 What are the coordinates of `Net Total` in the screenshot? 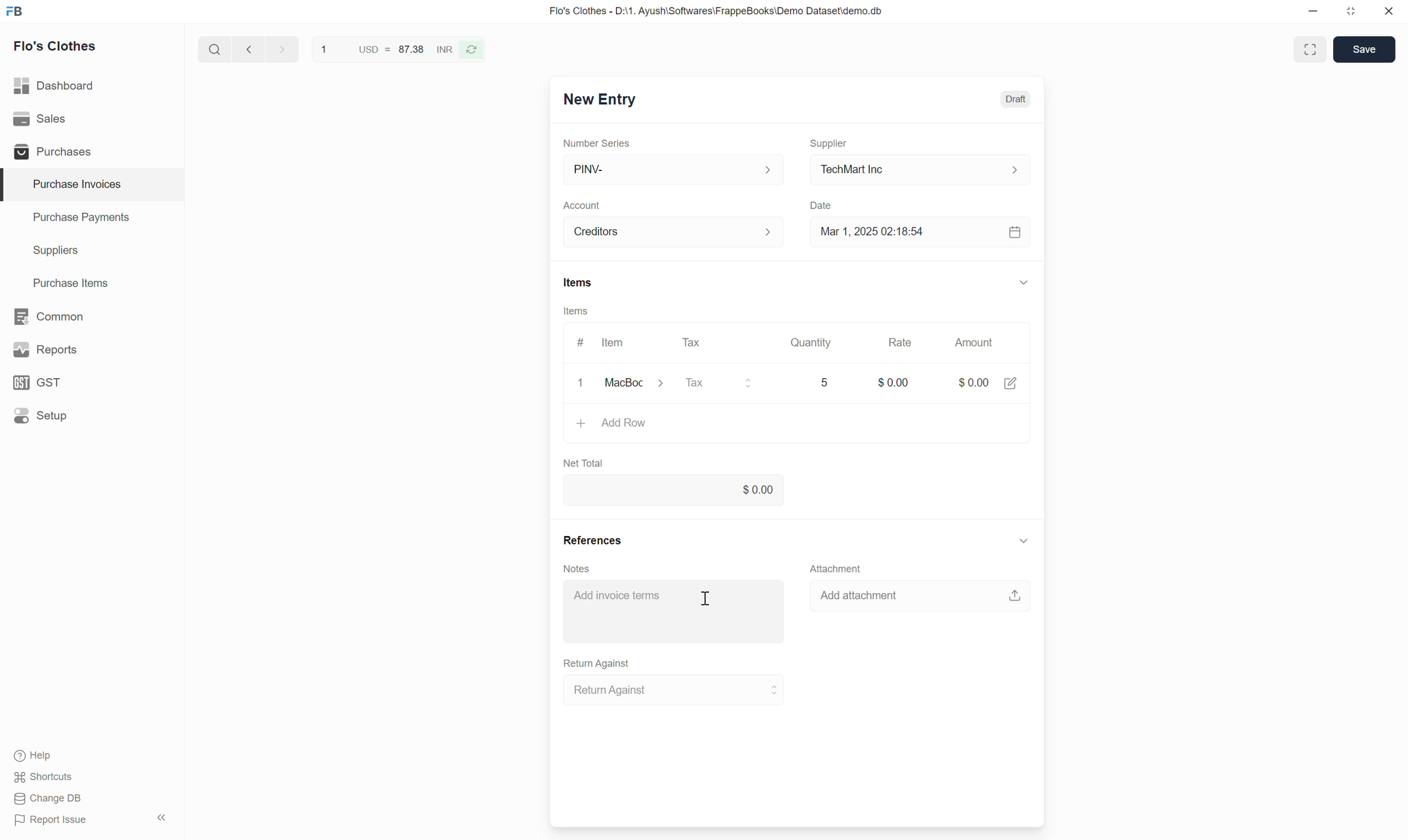 It's located at (584, 464).